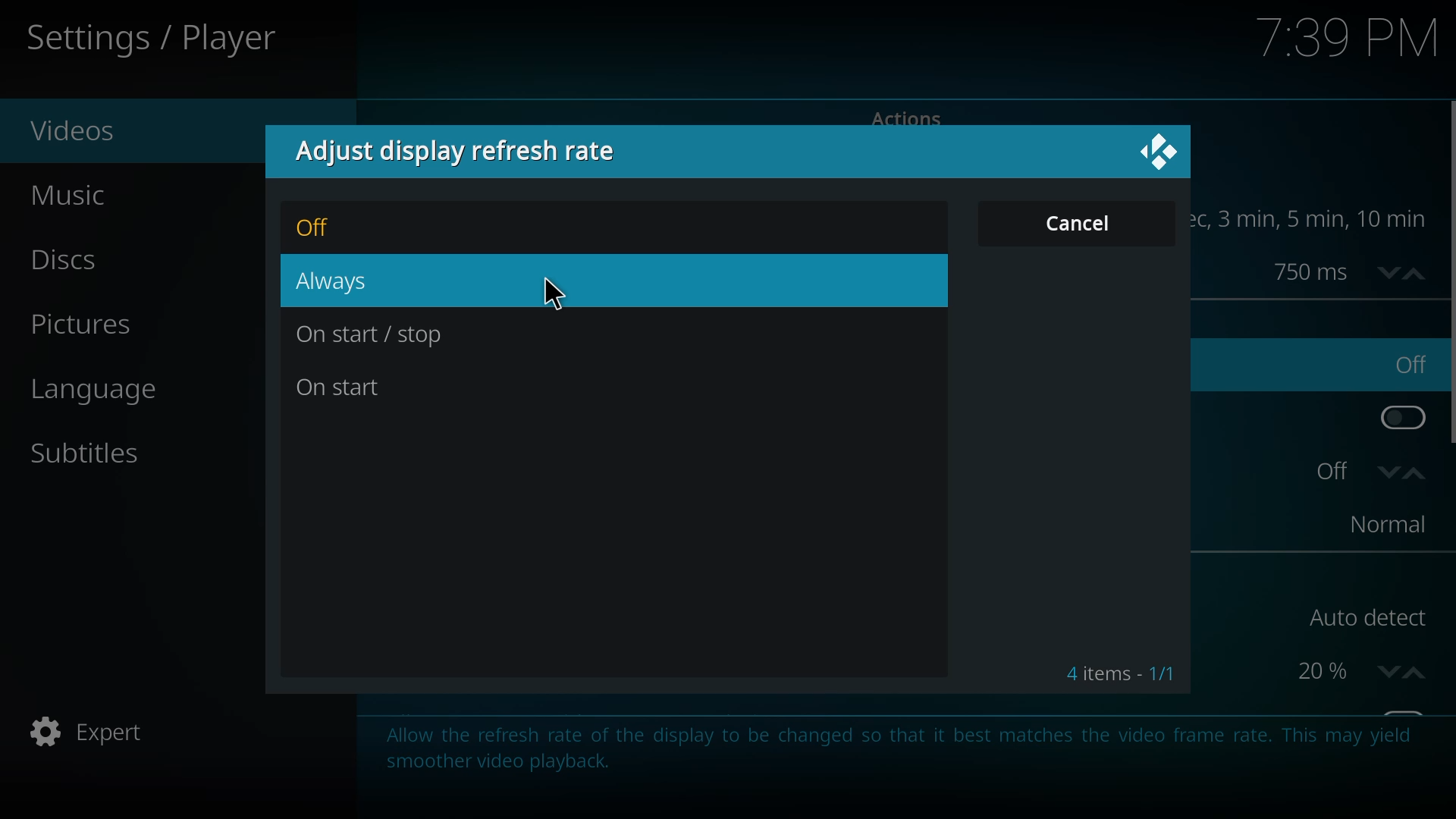 This screenshot has width=1456, height=819. What do you see at coordinates (91, 453) in the screenshot?
I see `subtitles` at bounding box center [91, 453].